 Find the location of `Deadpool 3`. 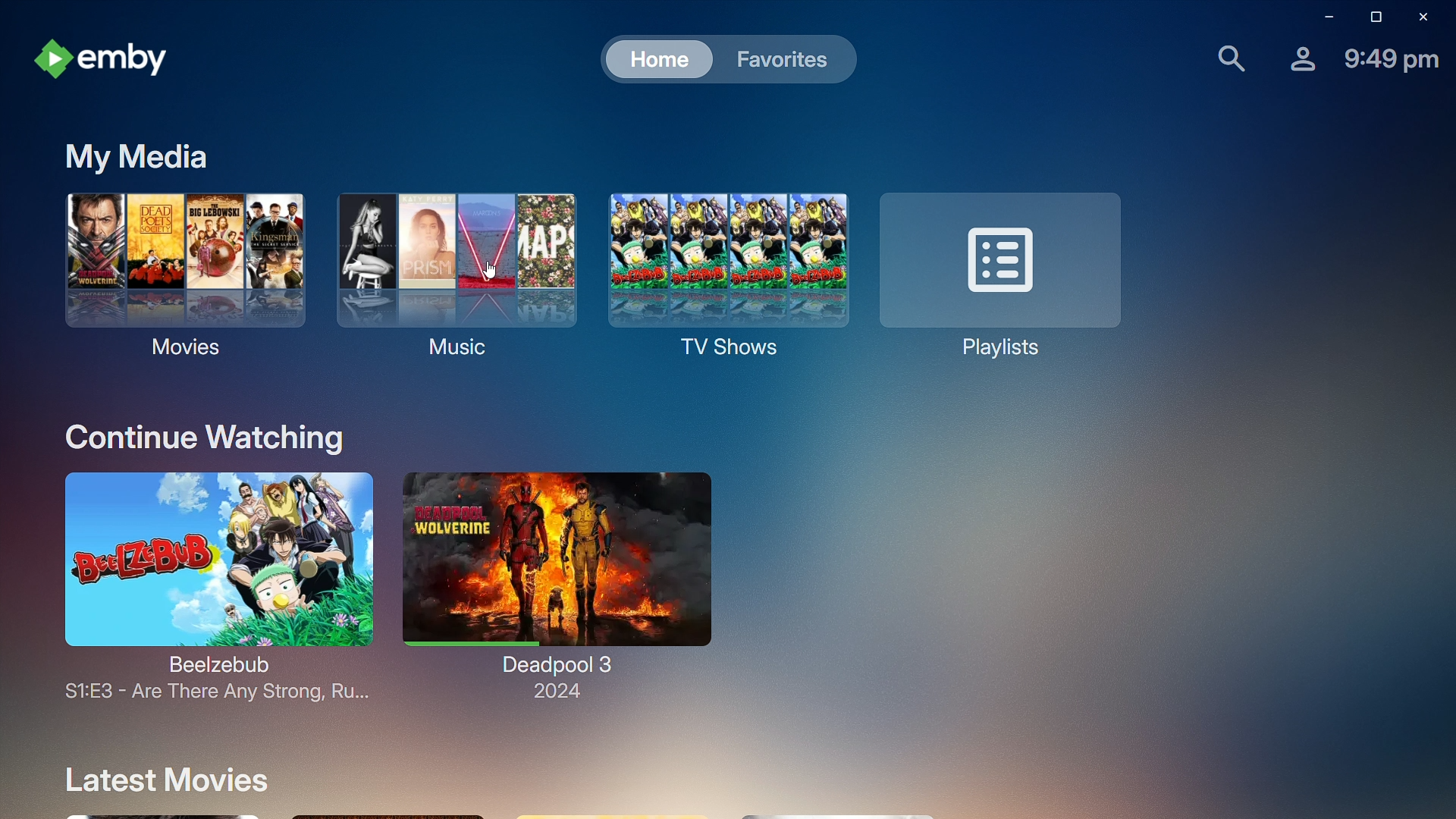

Deadpool 3 is located at coordinates (557, 586).